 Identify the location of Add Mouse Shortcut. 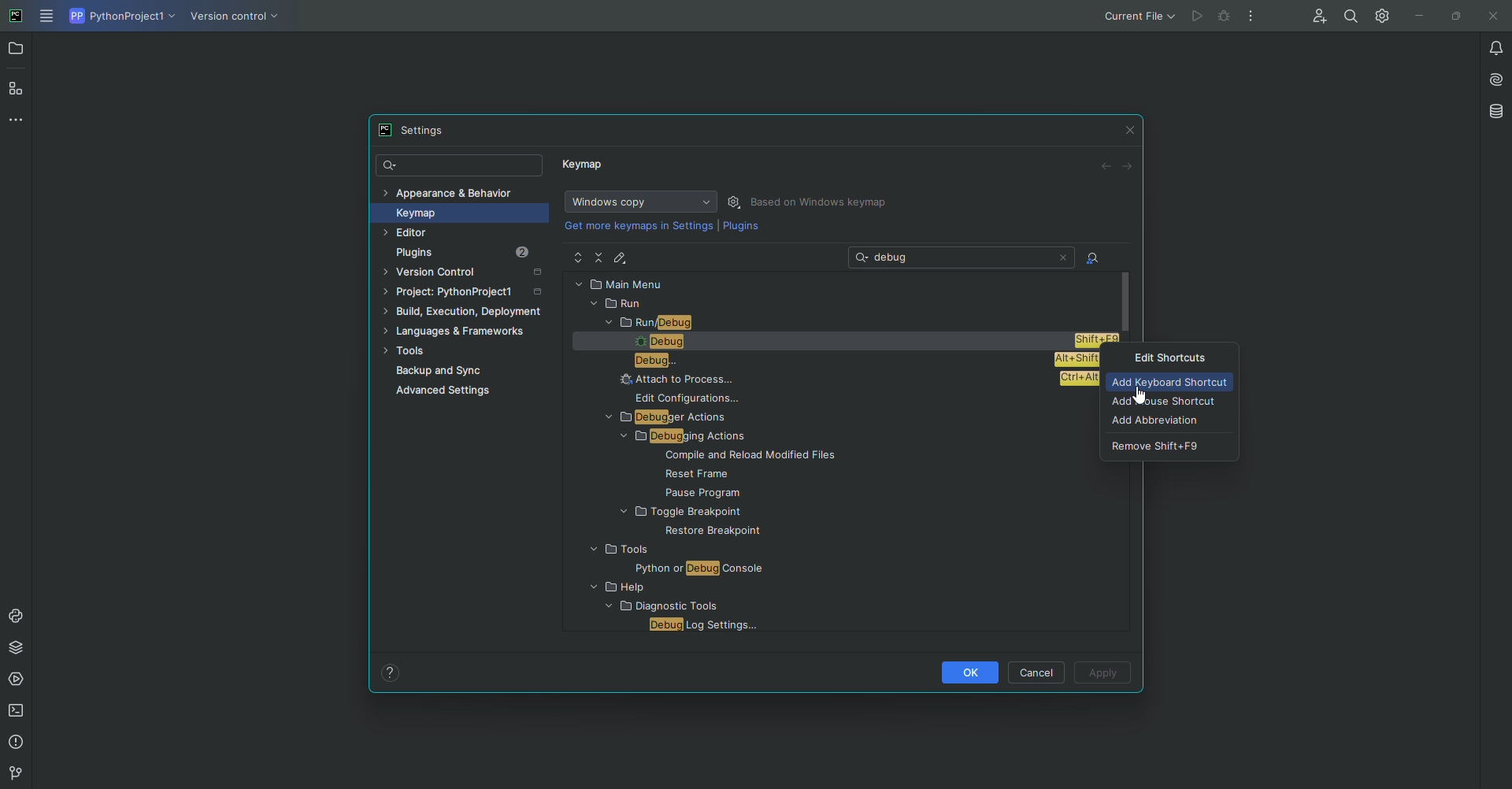
(1164, 402).